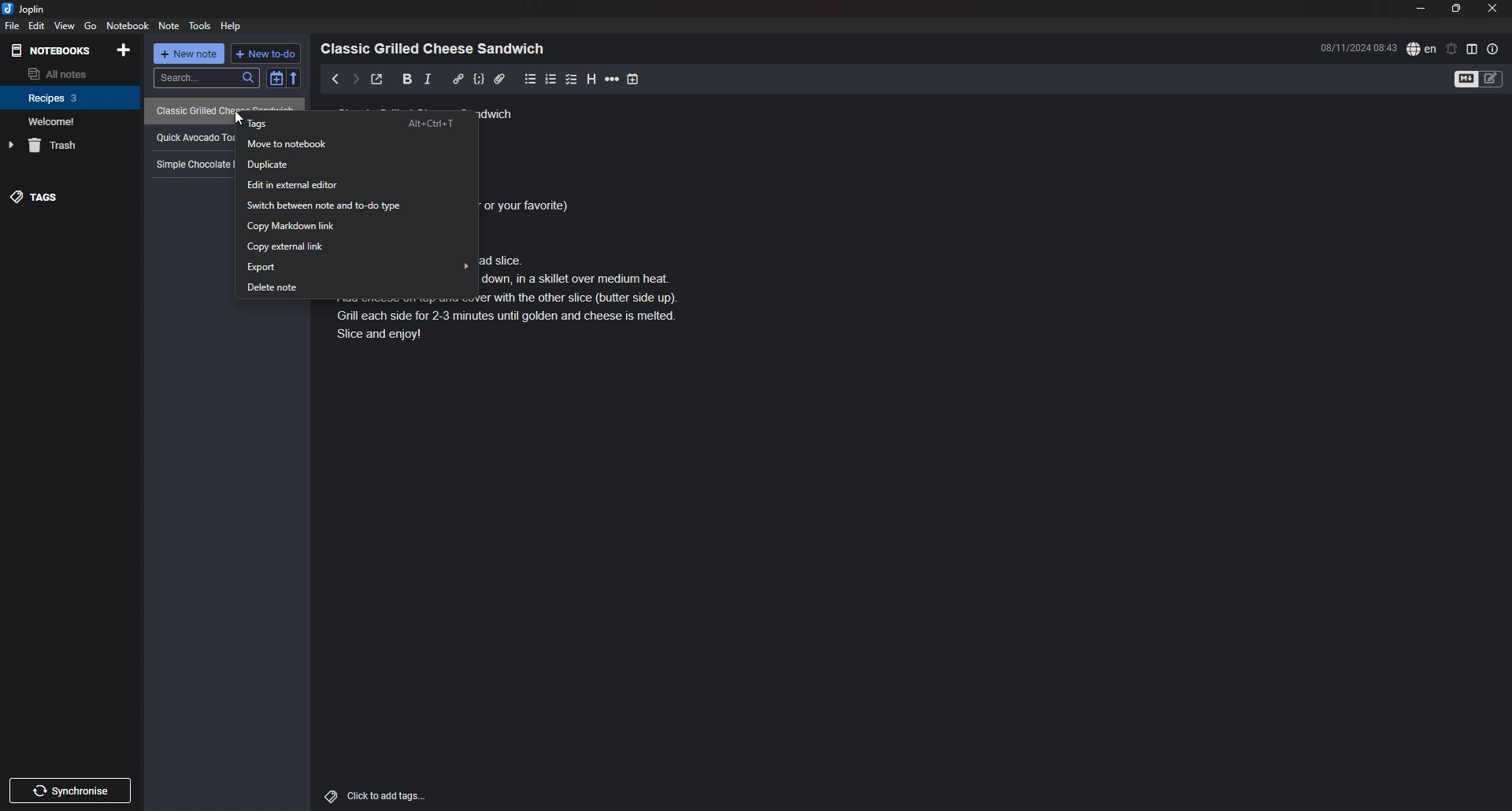  What do you see at coordinates (206, 78) in the screenshot?
I see `search` at bounding box center [206, 78].